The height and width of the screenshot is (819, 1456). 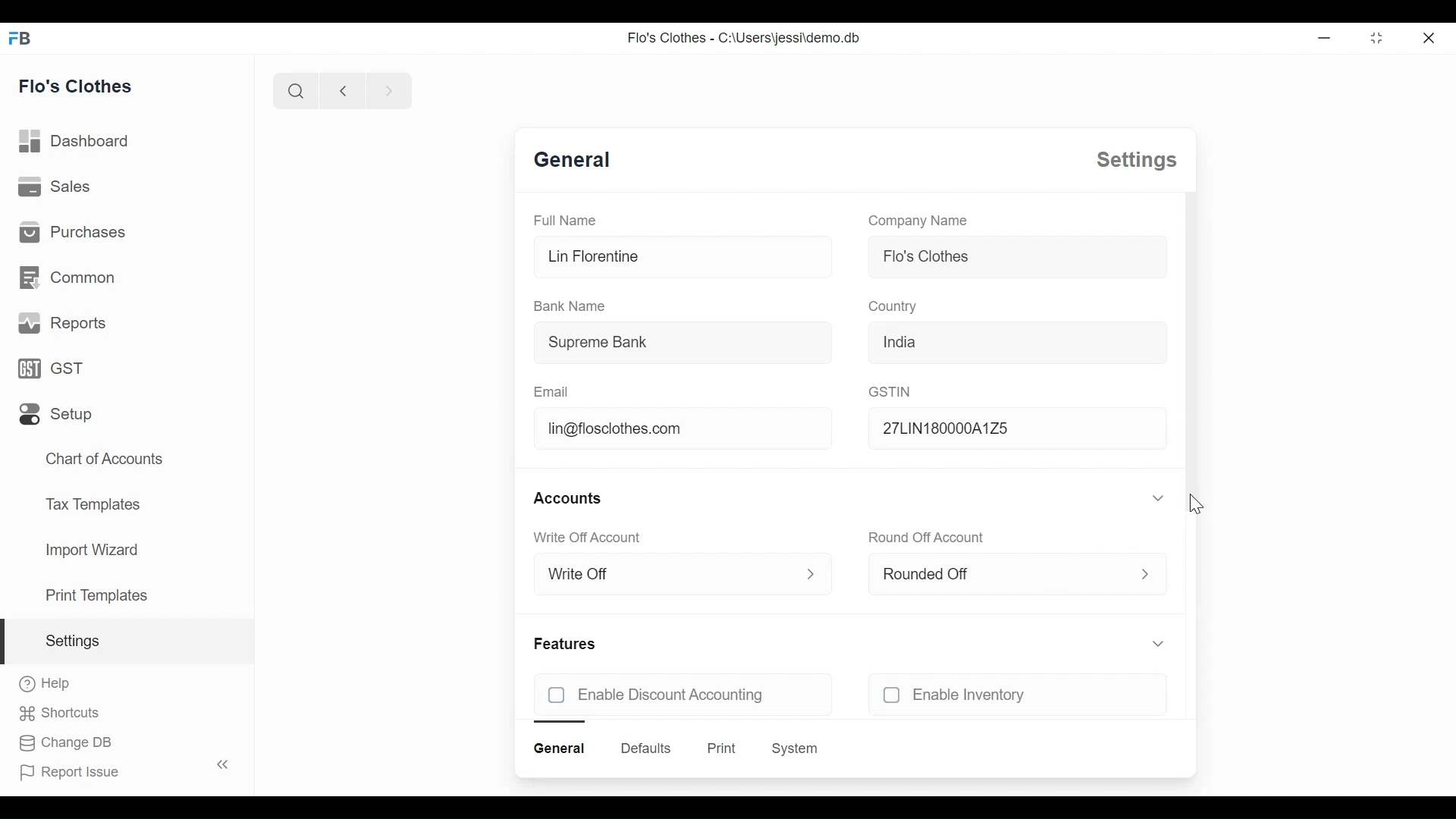 What do you see at coordinates (340, 90) in the screenshot?
I see `Navigate back` at bounding box center [340, 90].